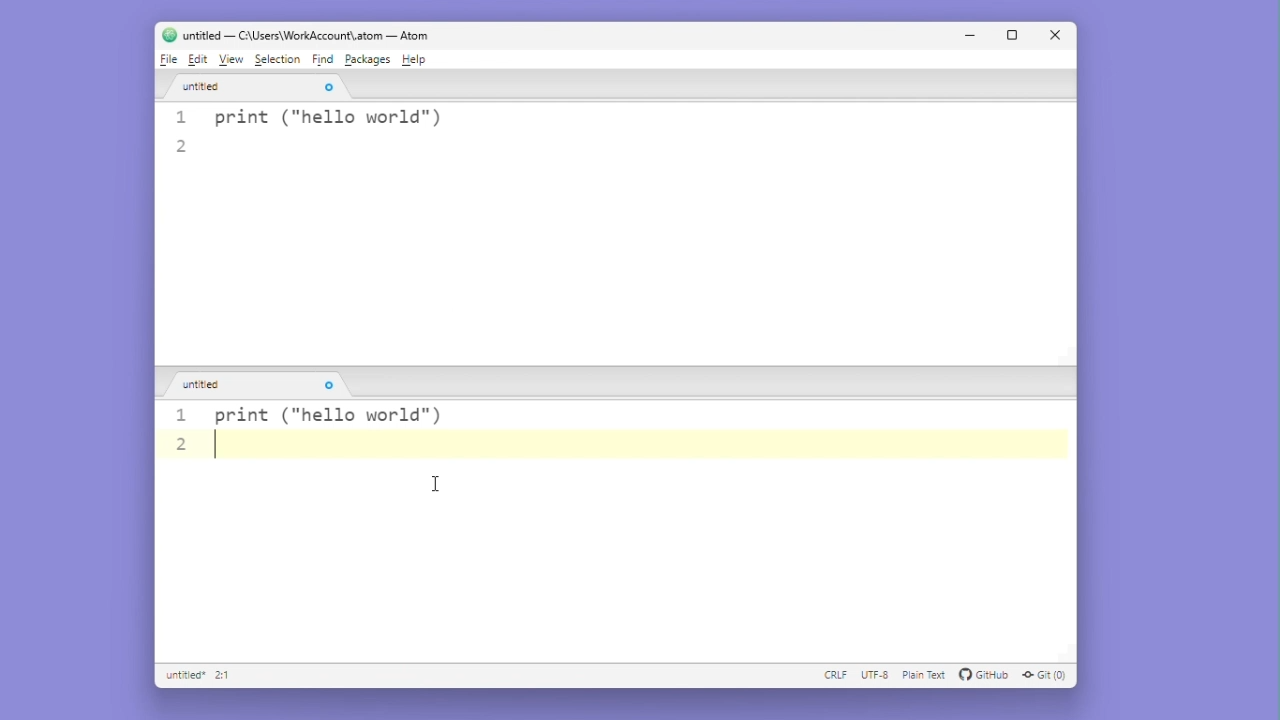 This screenshot has height=720, width=1280. Describe the element at coordinates (198, 61) in the screenshot. I see `Edit` at that location.